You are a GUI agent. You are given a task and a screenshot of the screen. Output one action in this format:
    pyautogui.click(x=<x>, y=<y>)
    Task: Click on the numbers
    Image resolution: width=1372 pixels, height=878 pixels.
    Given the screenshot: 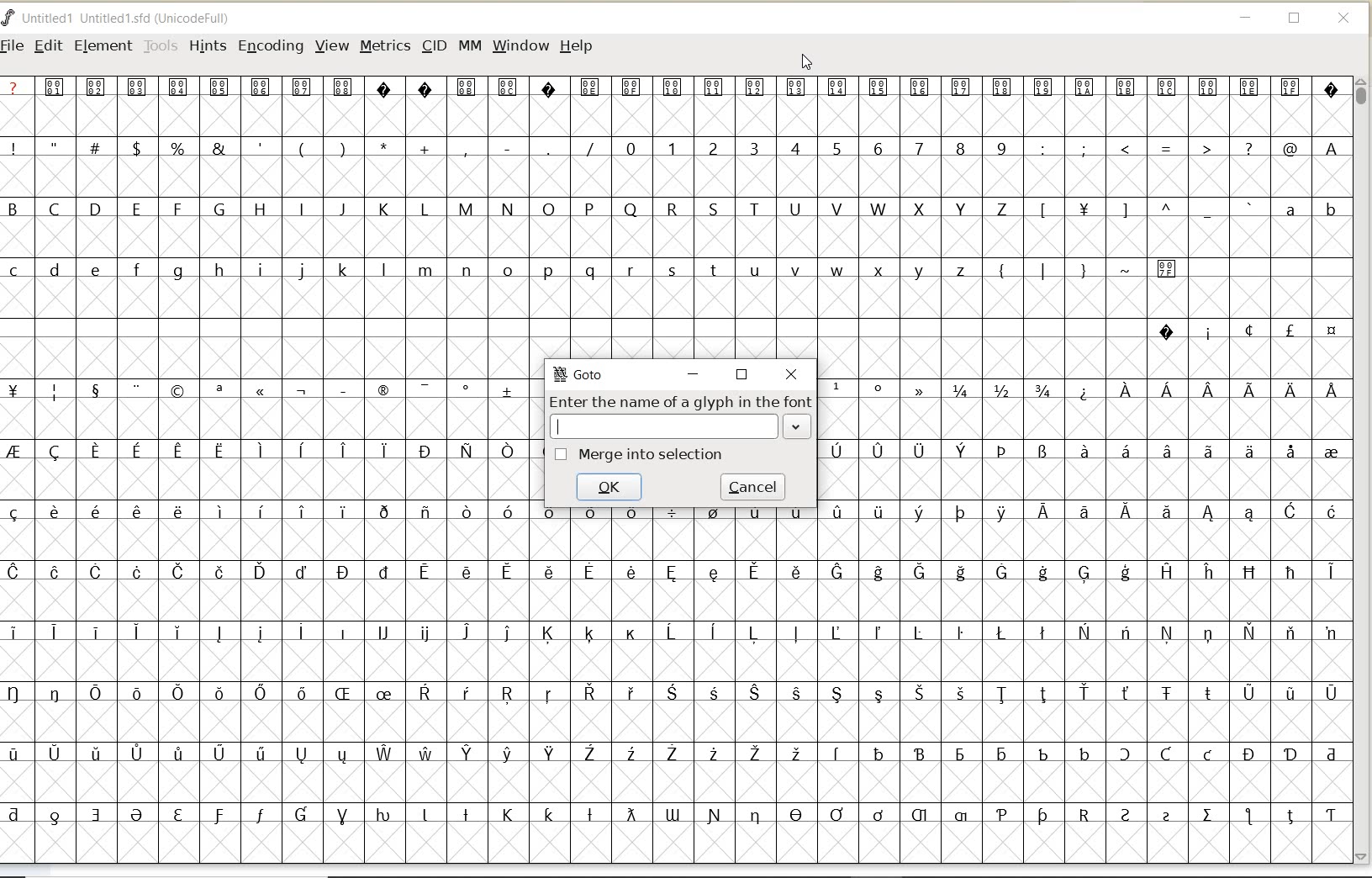 What is the action you would take?
    pyautogui.click(x=812, y=147)
    